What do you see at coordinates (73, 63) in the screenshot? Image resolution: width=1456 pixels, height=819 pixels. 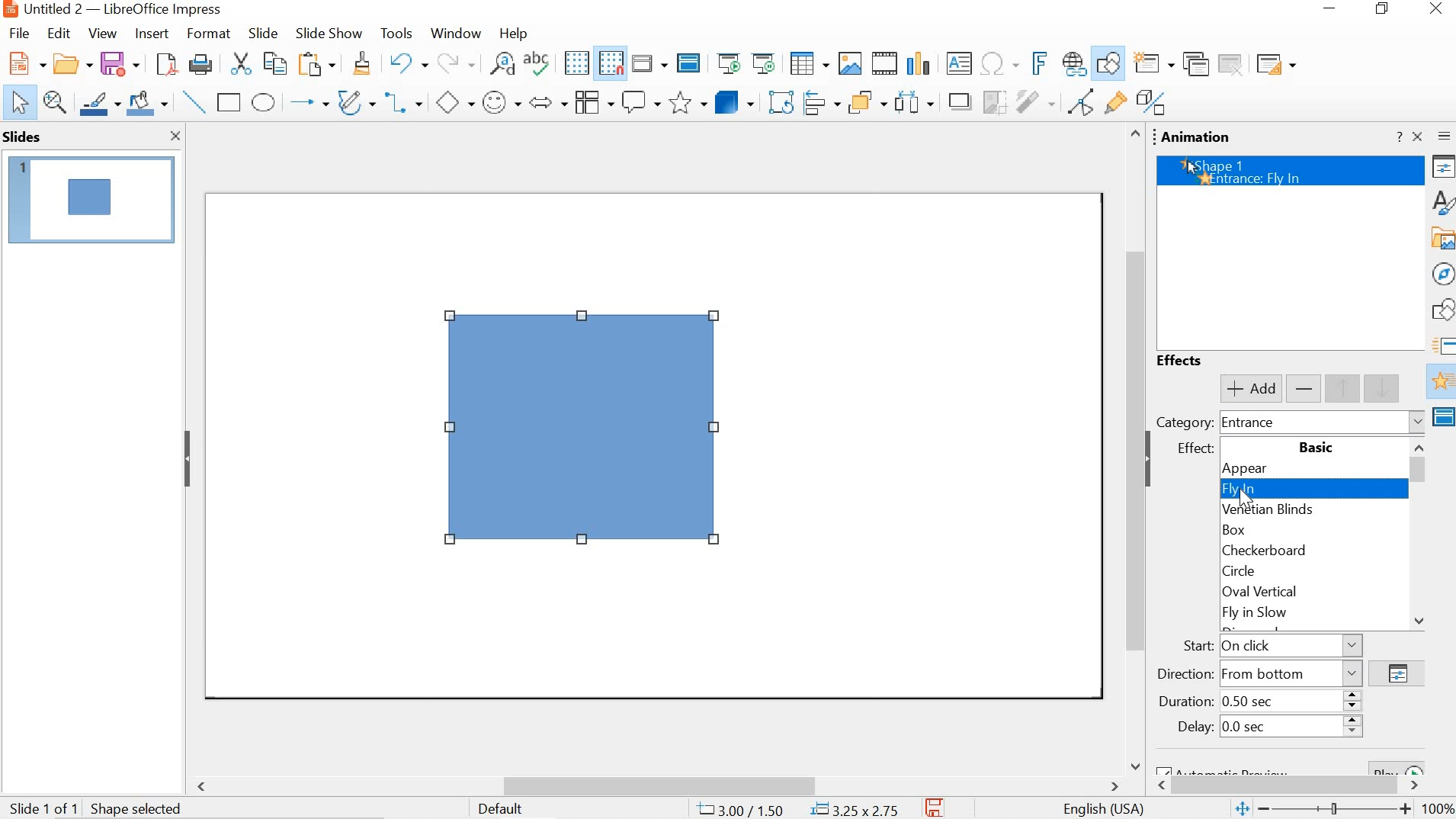 I see `new` at bounding box center [73, 63].